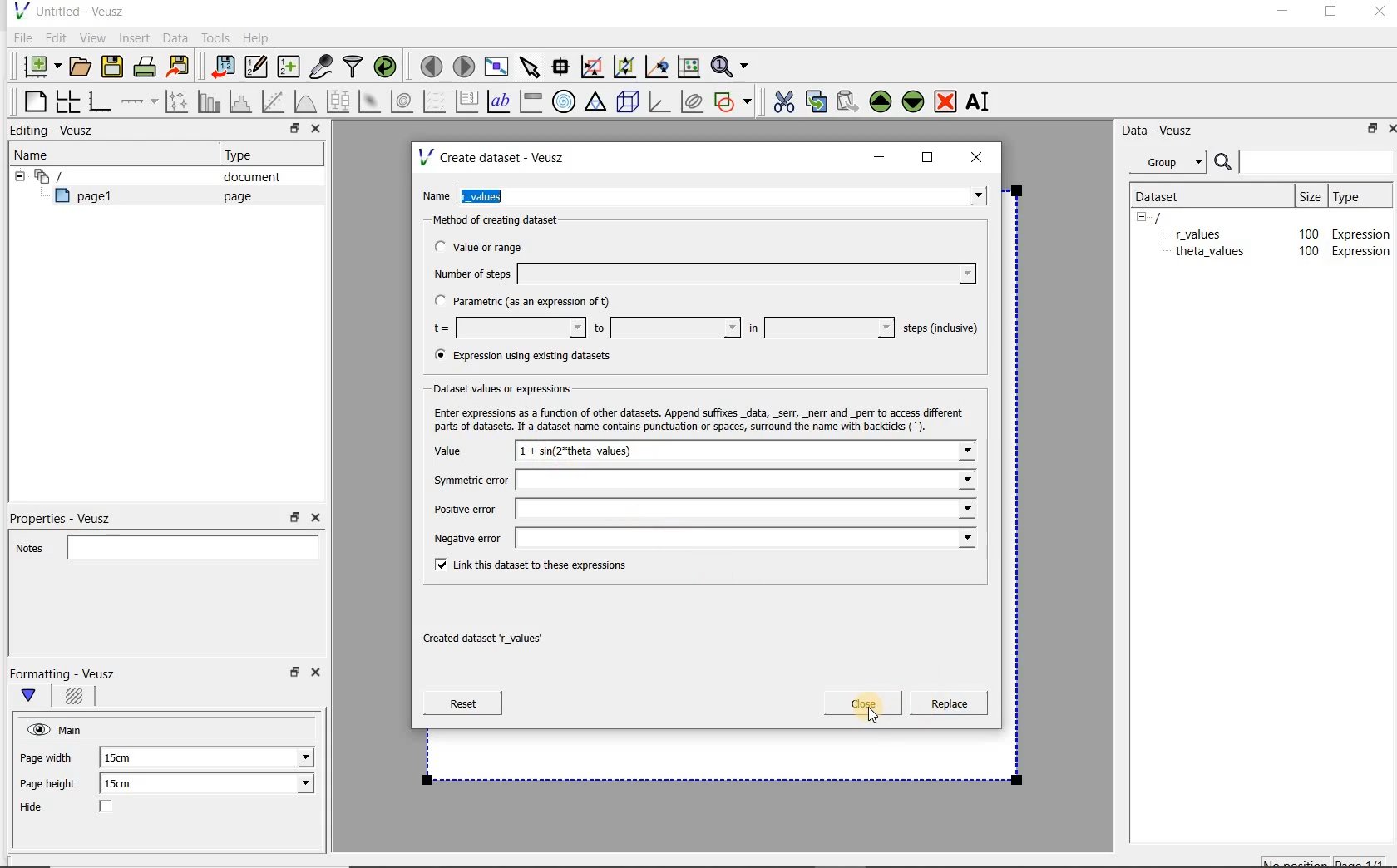 Image resolution: width=1397 pixels, height=868 pixels. I want to click on Main formatting, so click(36, 697).